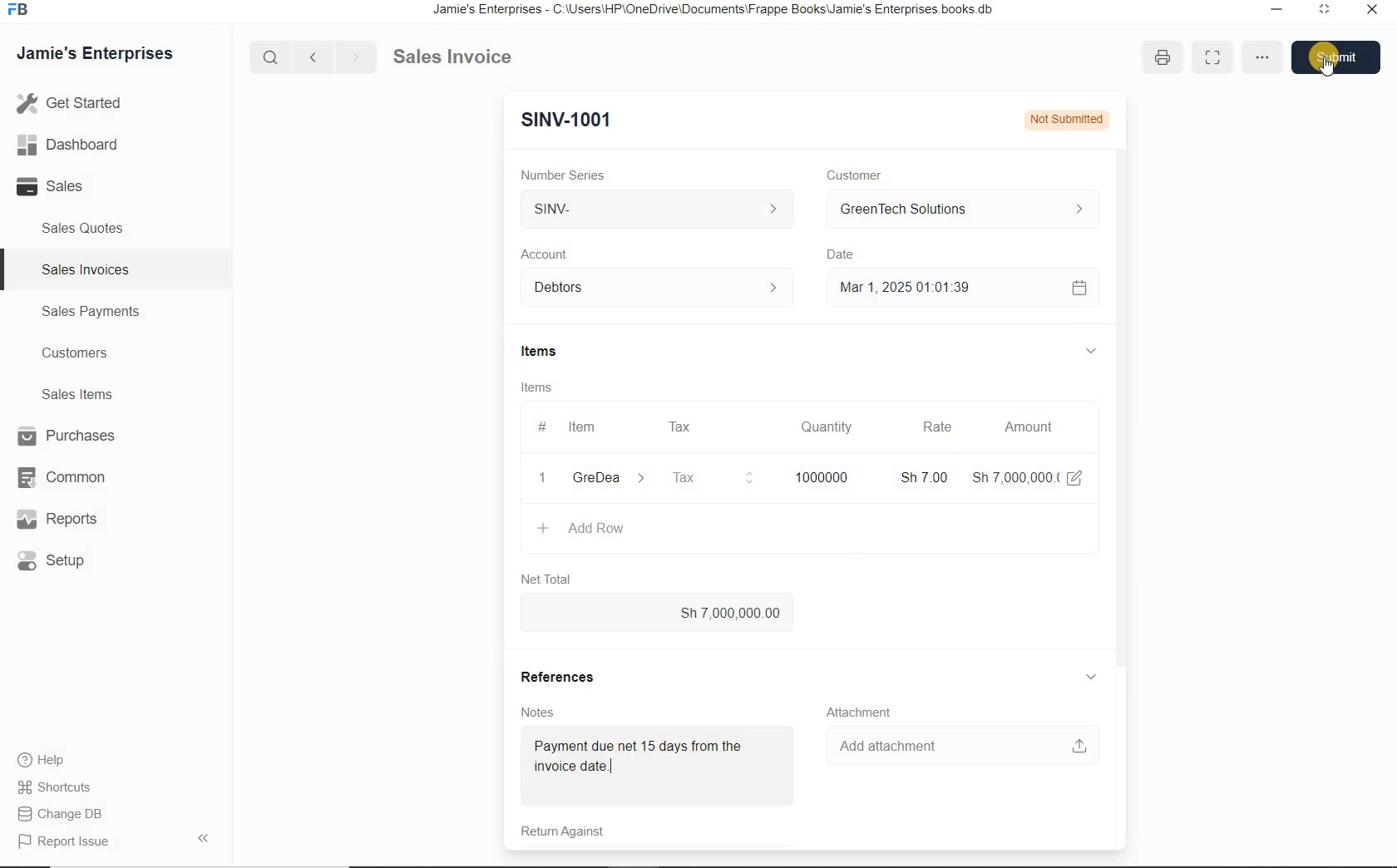 The image size is (1397, 868). I want to click on # Item, so click(578, 429).